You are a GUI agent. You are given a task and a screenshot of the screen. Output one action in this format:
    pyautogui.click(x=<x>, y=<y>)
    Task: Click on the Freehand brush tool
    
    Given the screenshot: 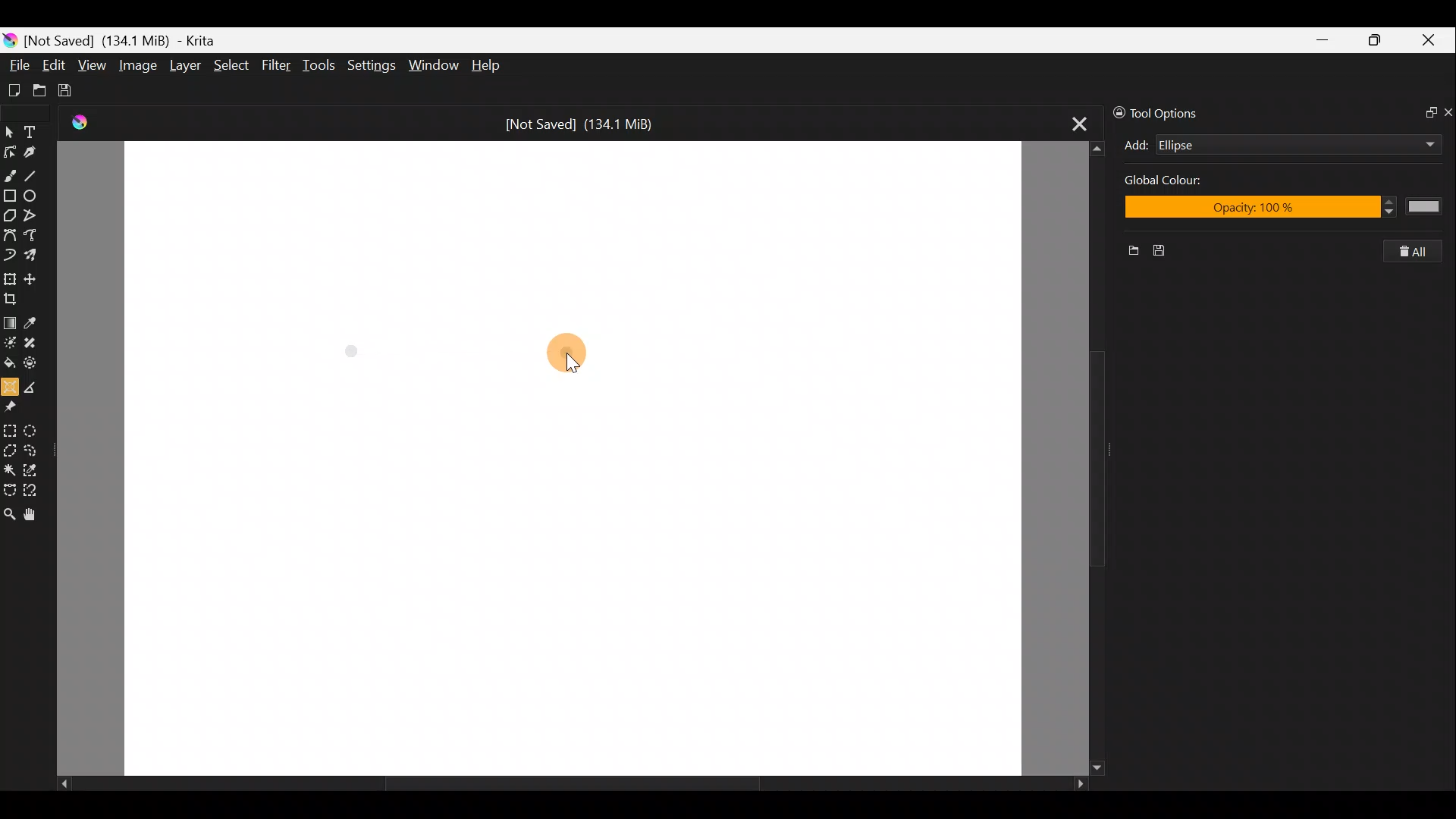 What is the action you would take?
    pyautogui.click(x=11, y=174)
    